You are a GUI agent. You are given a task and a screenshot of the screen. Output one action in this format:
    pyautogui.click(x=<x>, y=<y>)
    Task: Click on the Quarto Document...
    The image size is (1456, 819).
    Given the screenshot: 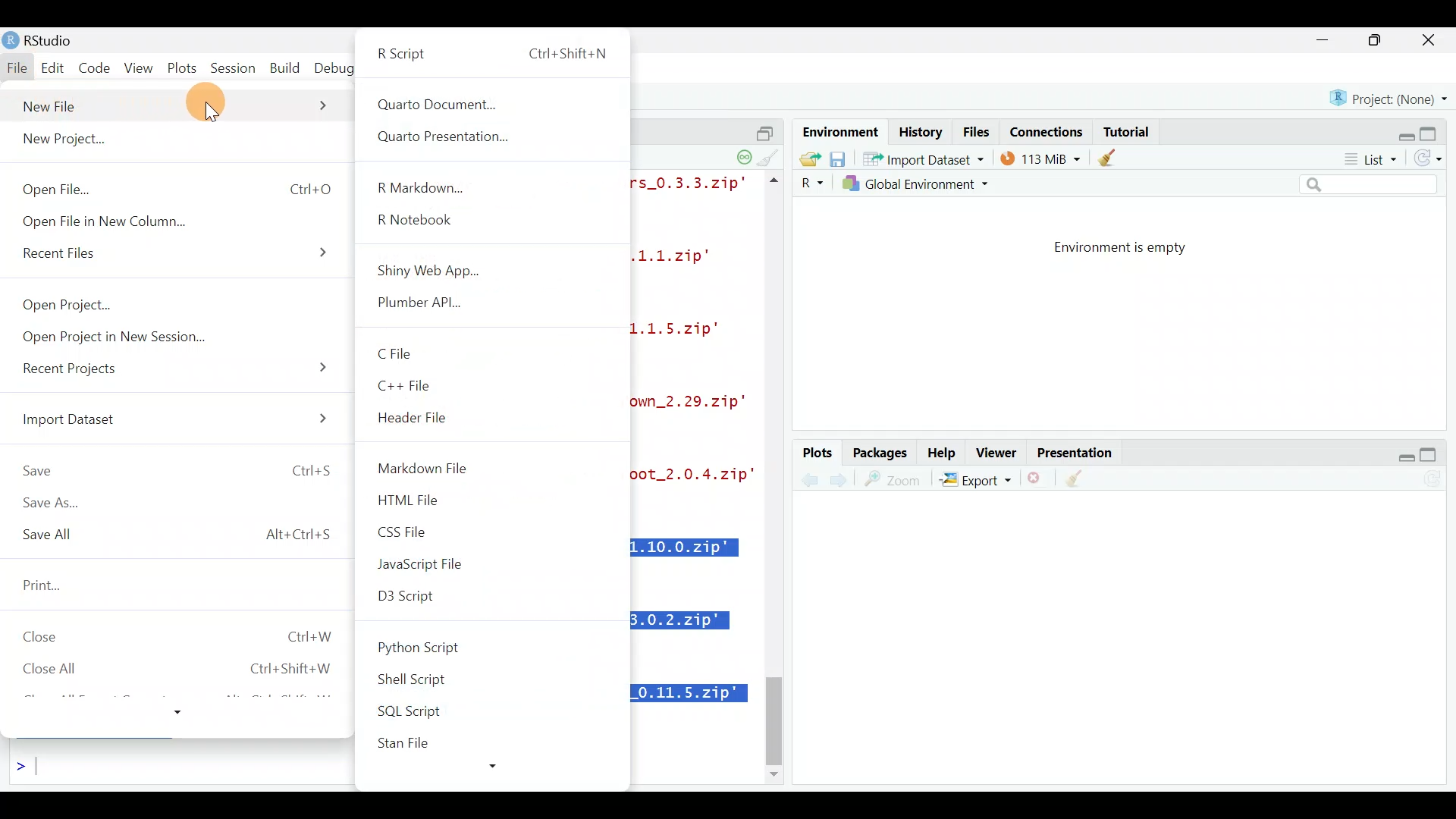 What is the action you would take?
    pyautogui.click(x=442, y=104)
    